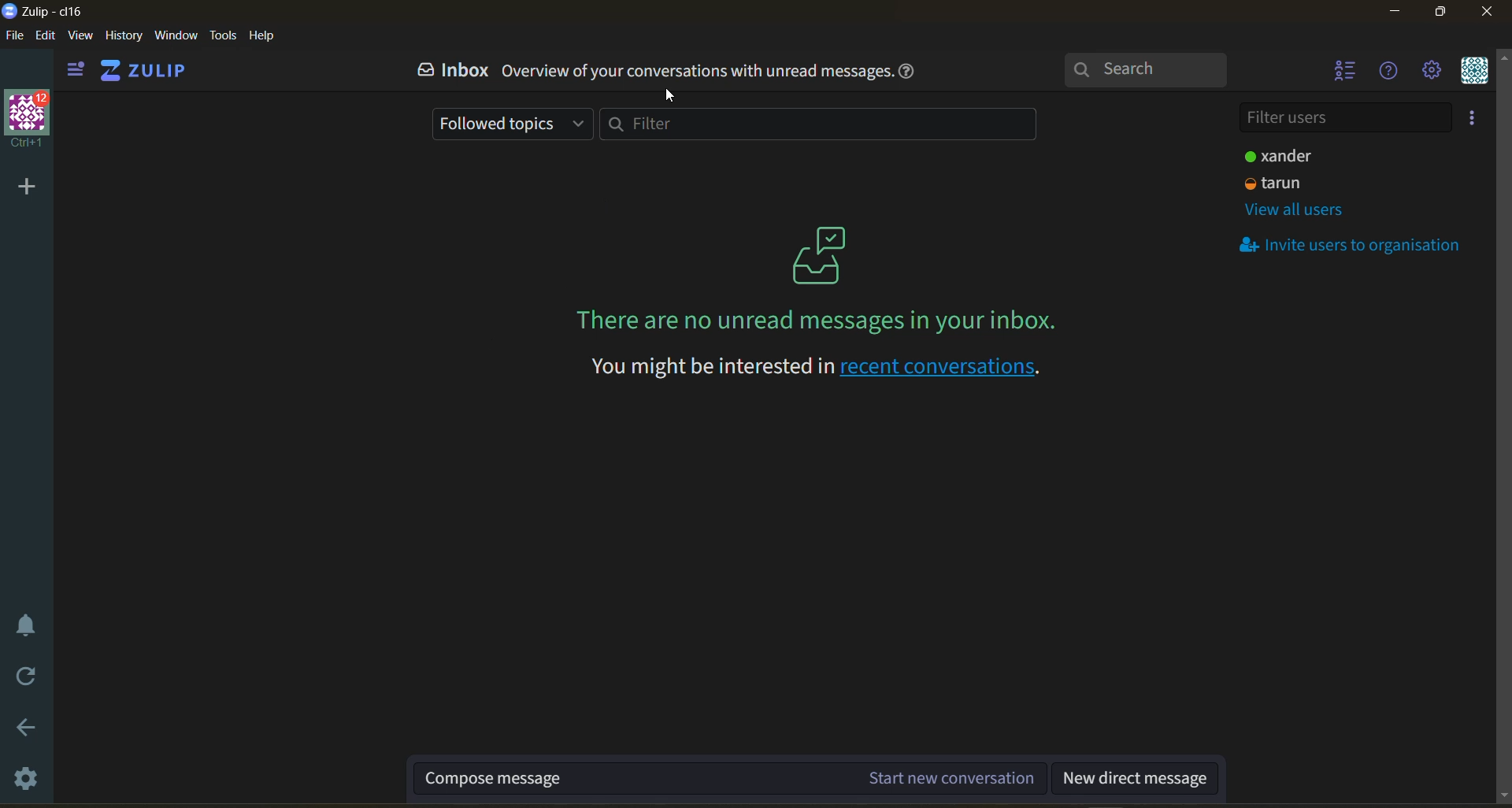  I want to click on window, so click(176, 37).